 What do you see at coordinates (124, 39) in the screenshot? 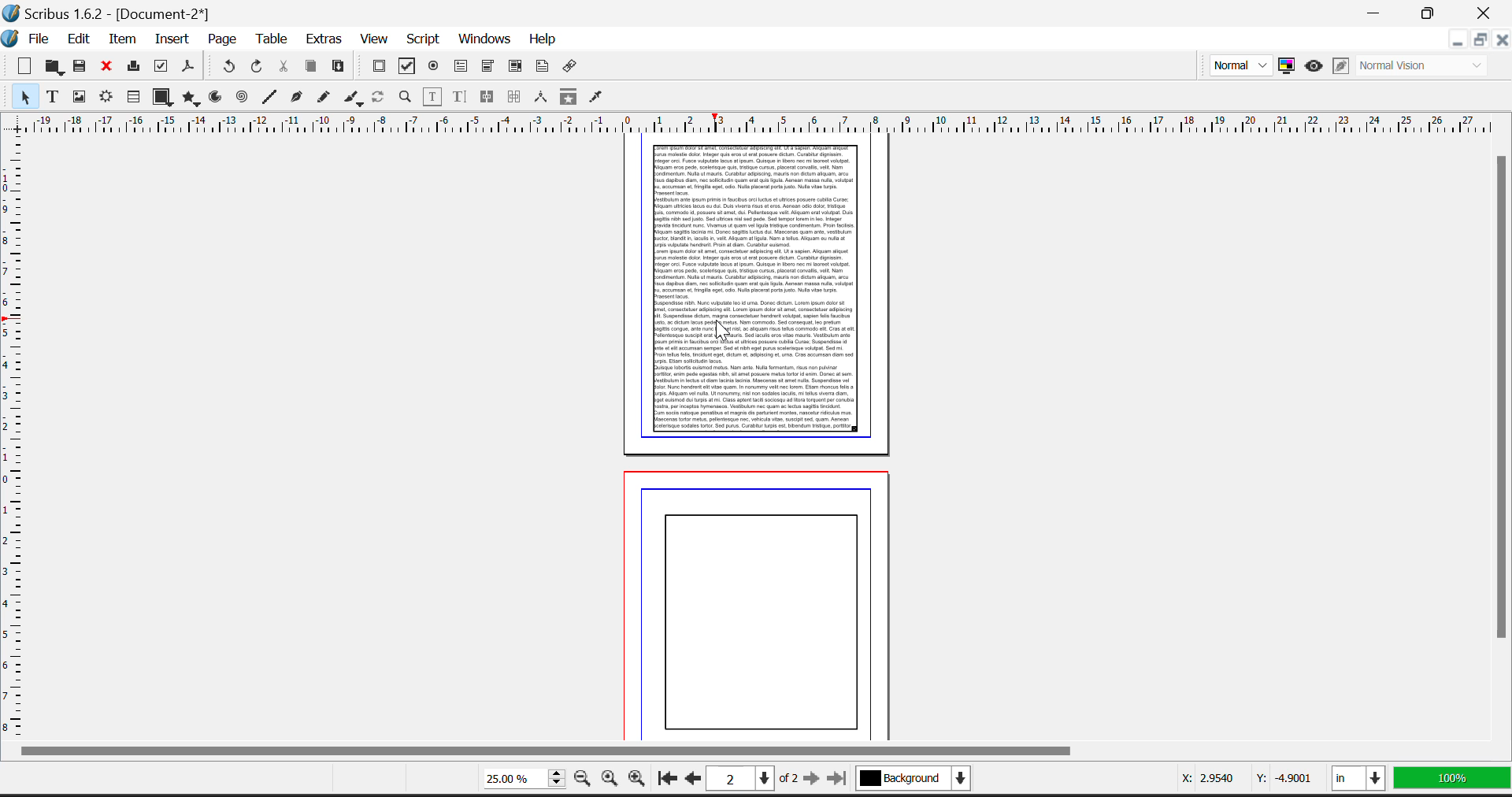
I see `Item` at bounding box center [124, 39].